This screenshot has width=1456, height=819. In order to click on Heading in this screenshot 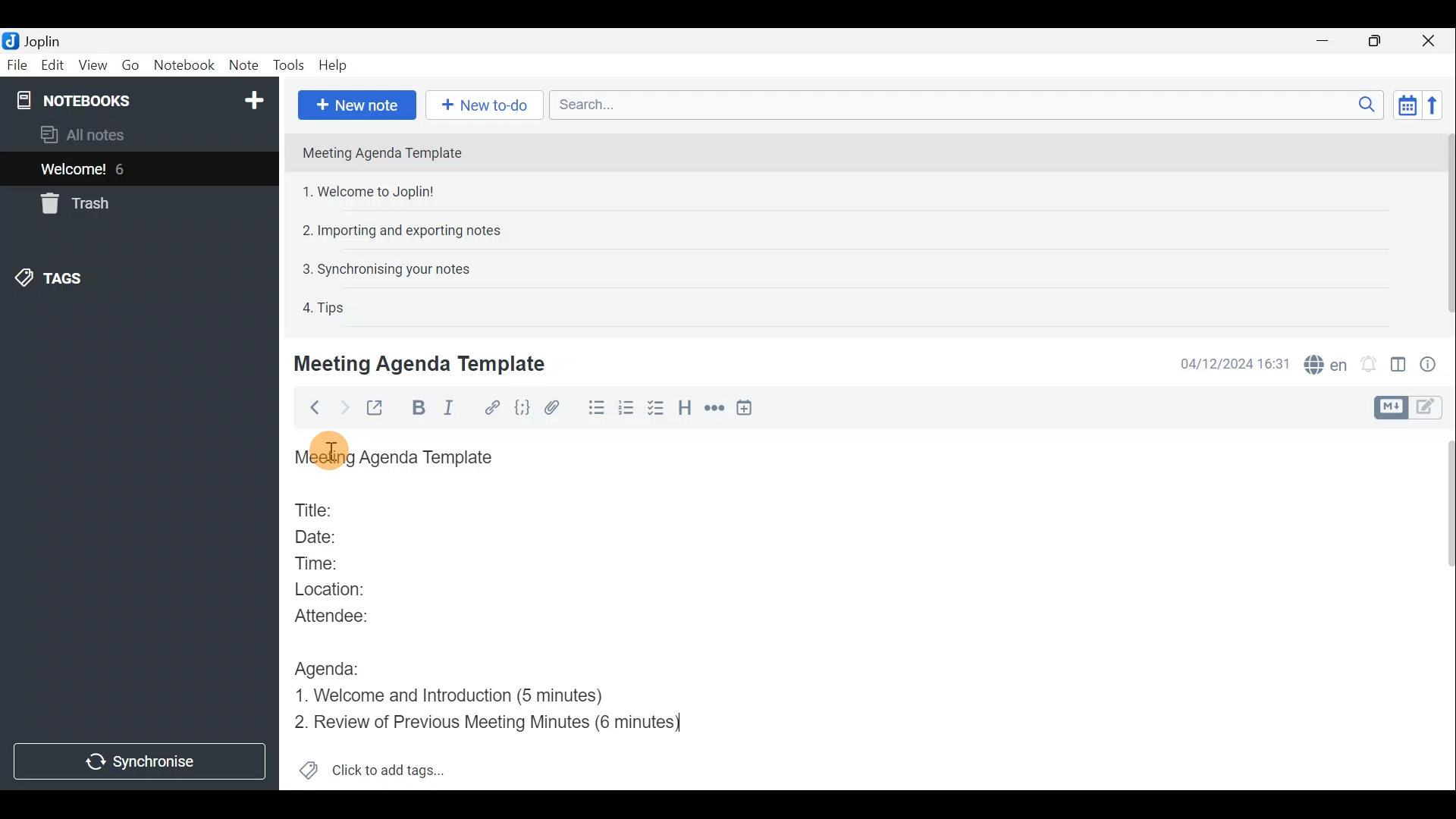, I will do `click(686, 411)`.